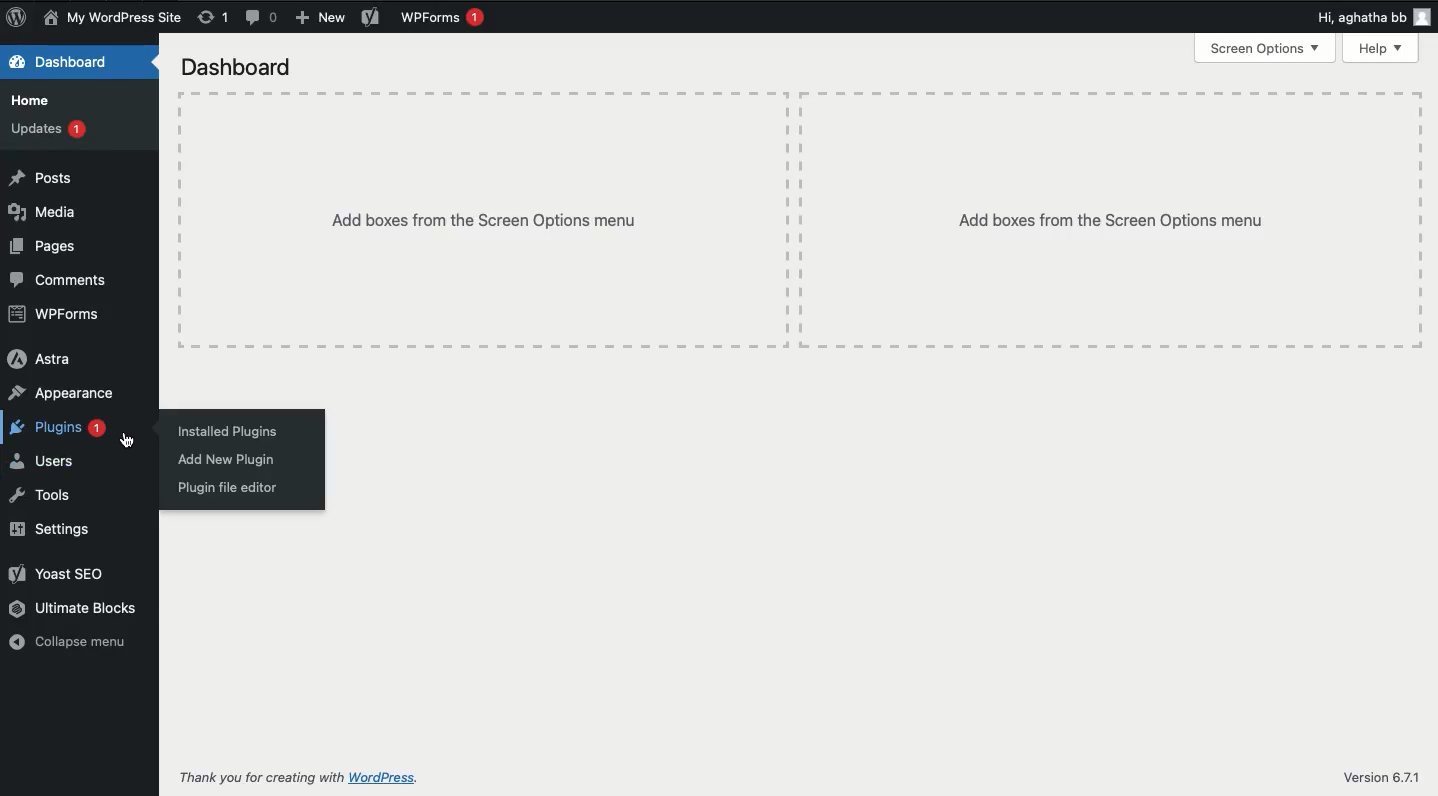  What do you see at coordinates (43, 214) in the screenshot?
I see `Media` at bounding box center [43, 214].